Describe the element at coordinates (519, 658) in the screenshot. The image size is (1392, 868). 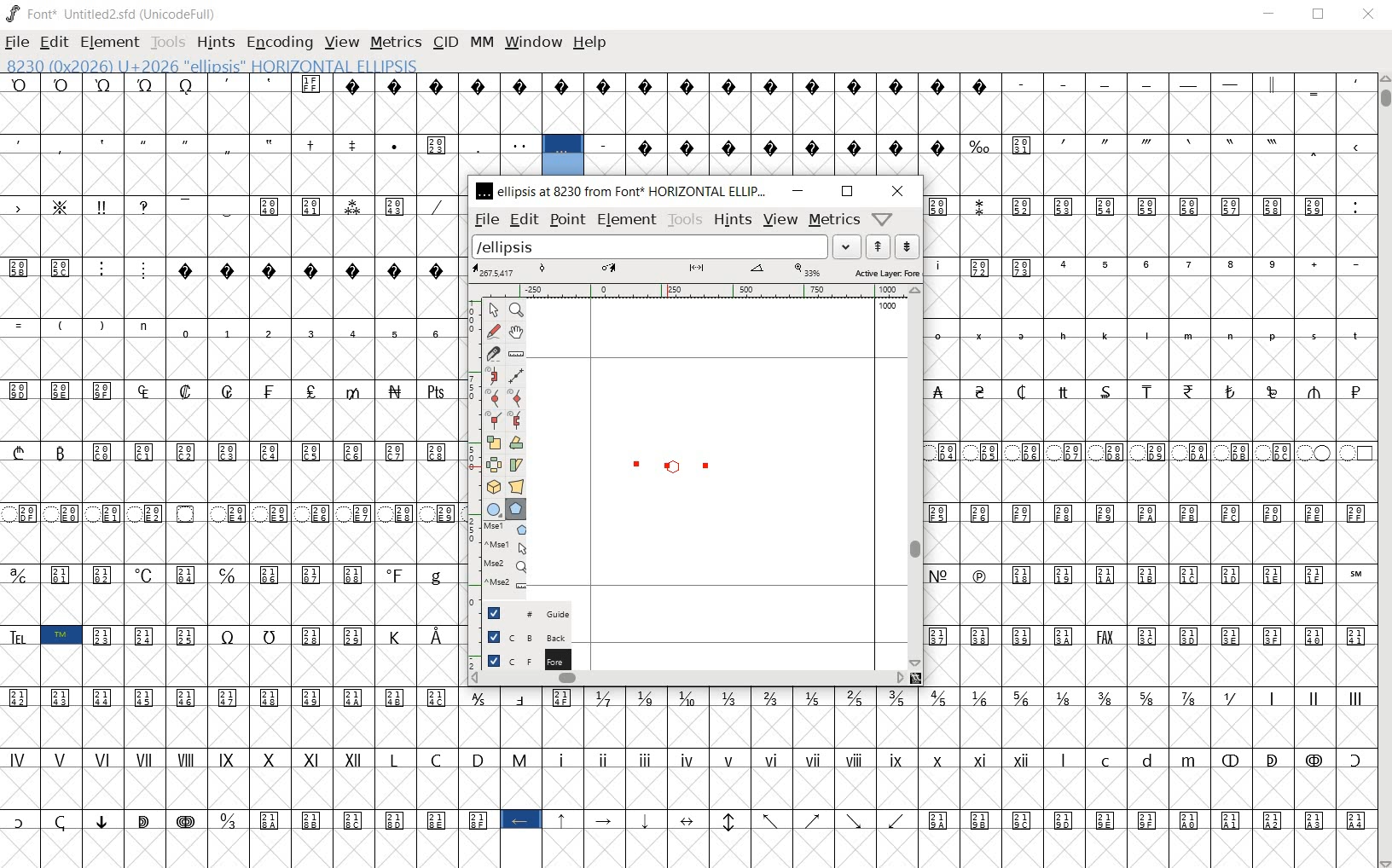
I see `foreground` at that location.